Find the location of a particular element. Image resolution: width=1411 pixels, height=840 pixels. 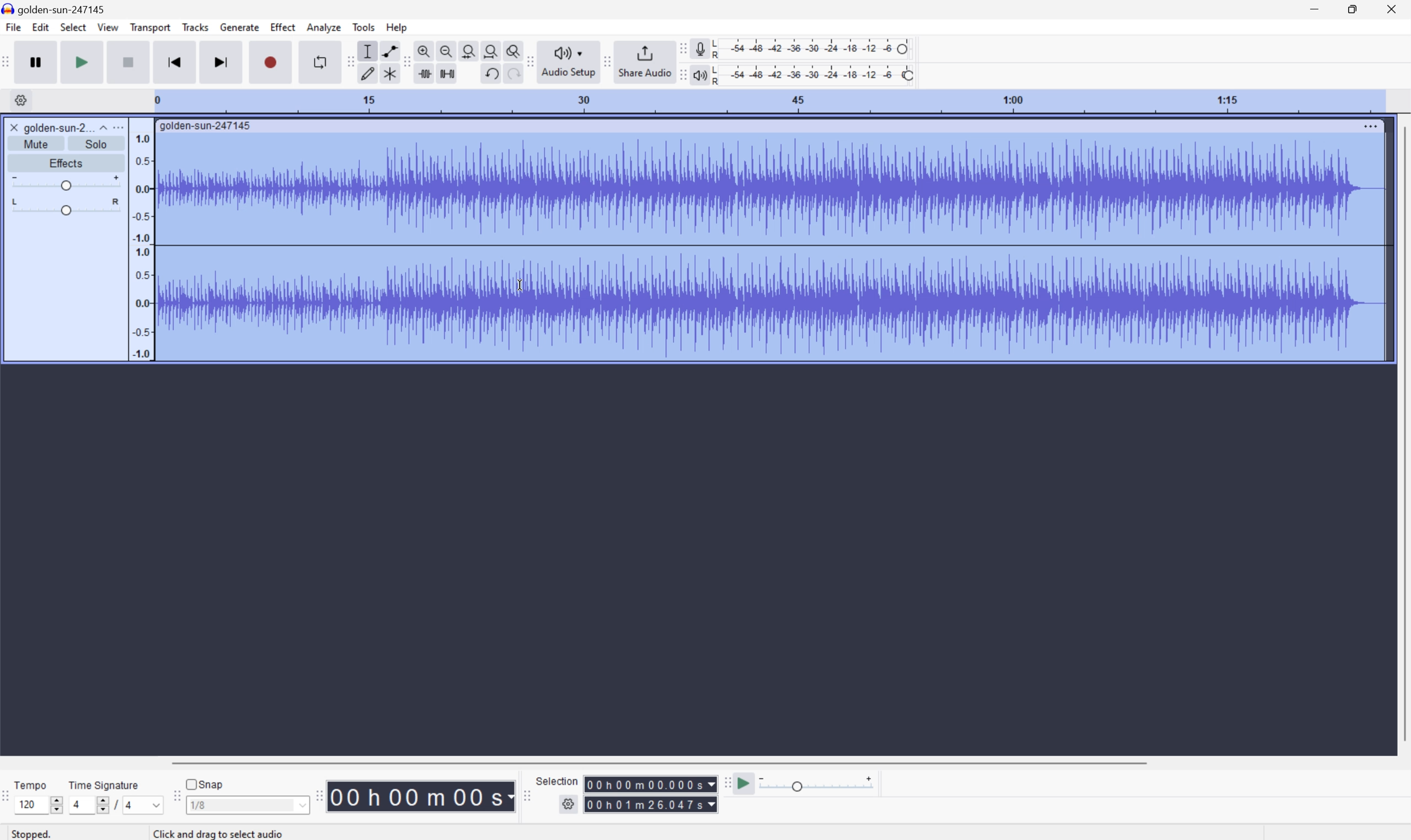

Recording level: 62% is located at coordinates (813, 49).